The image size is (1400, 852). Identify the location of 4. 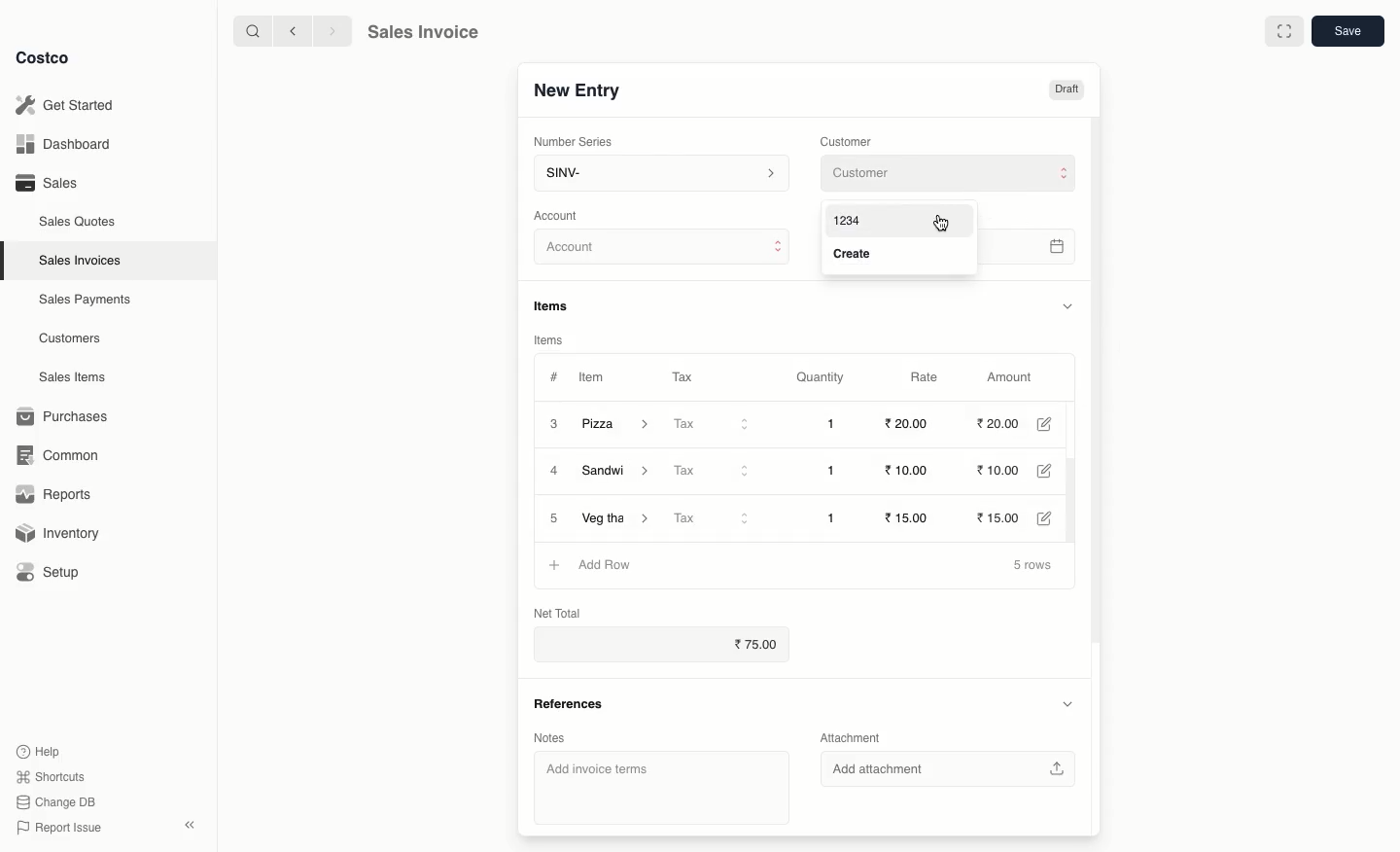
(555, 472).